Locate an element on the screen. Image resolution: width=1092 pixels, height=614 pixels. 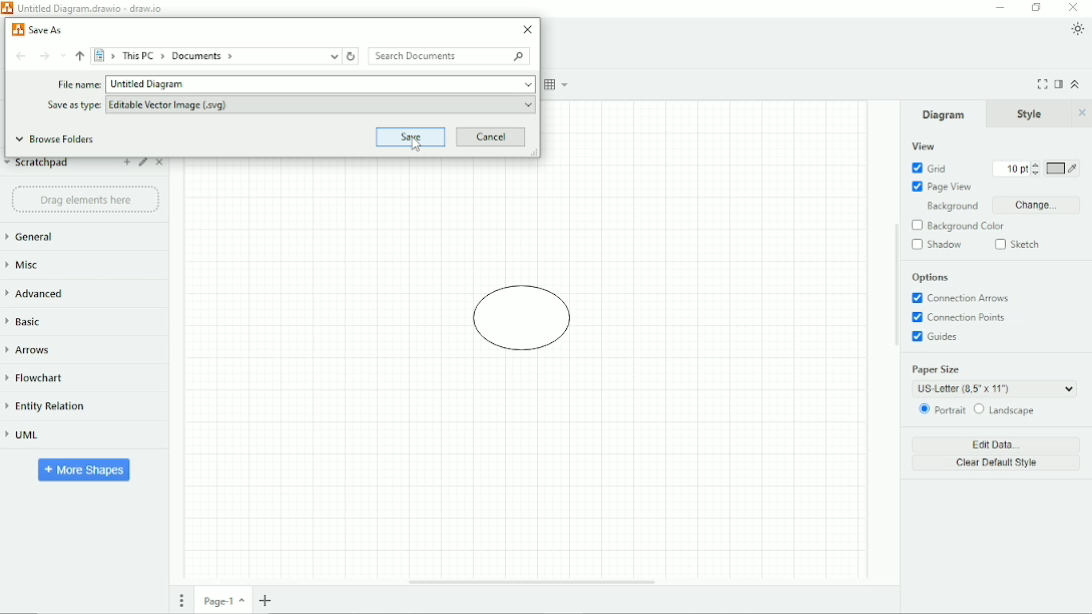
Diagram is located at coordinates (944, 114).